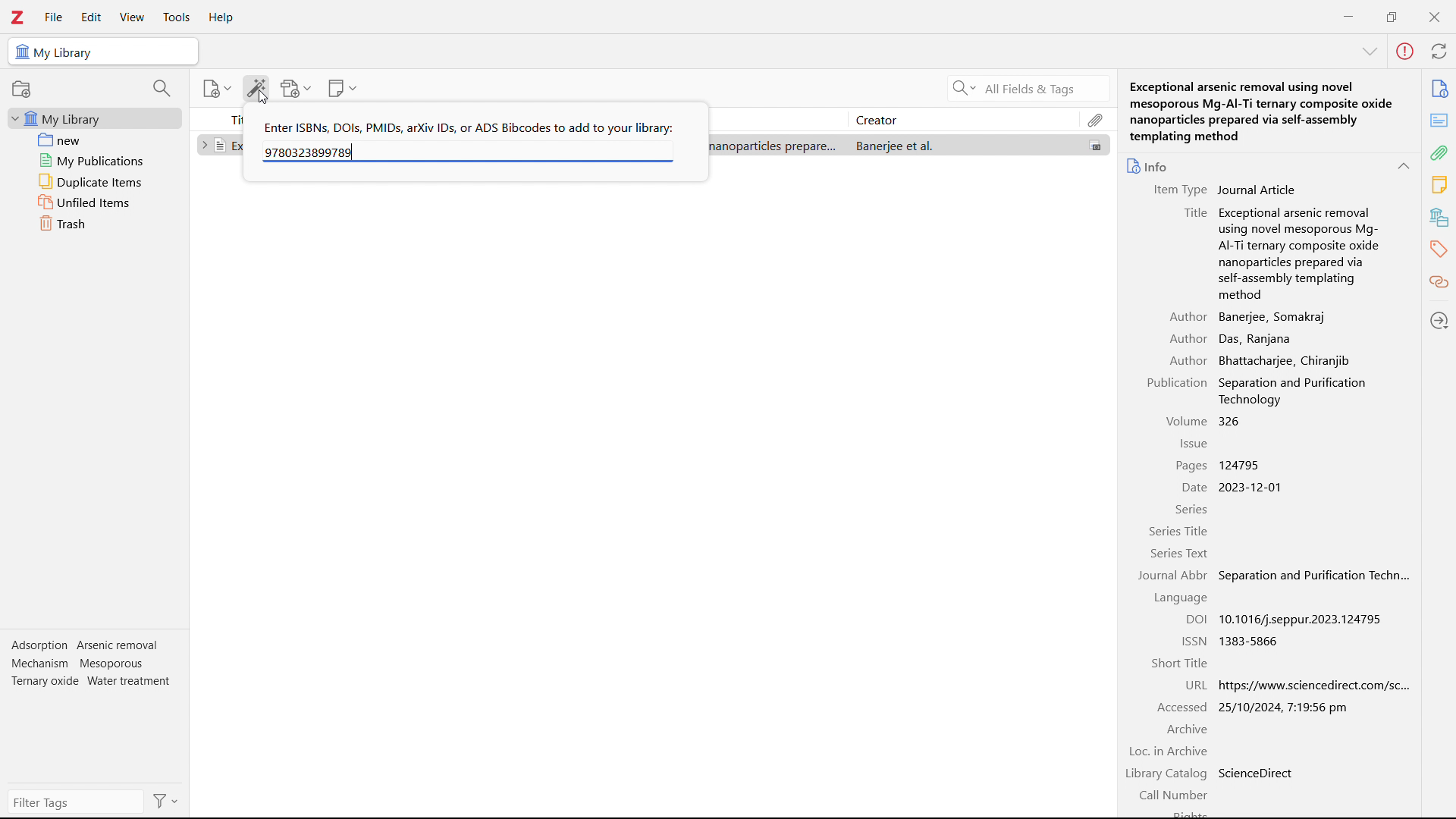 The image size is (1456, 819). I want to click on unfiled items, so click(95, 202).